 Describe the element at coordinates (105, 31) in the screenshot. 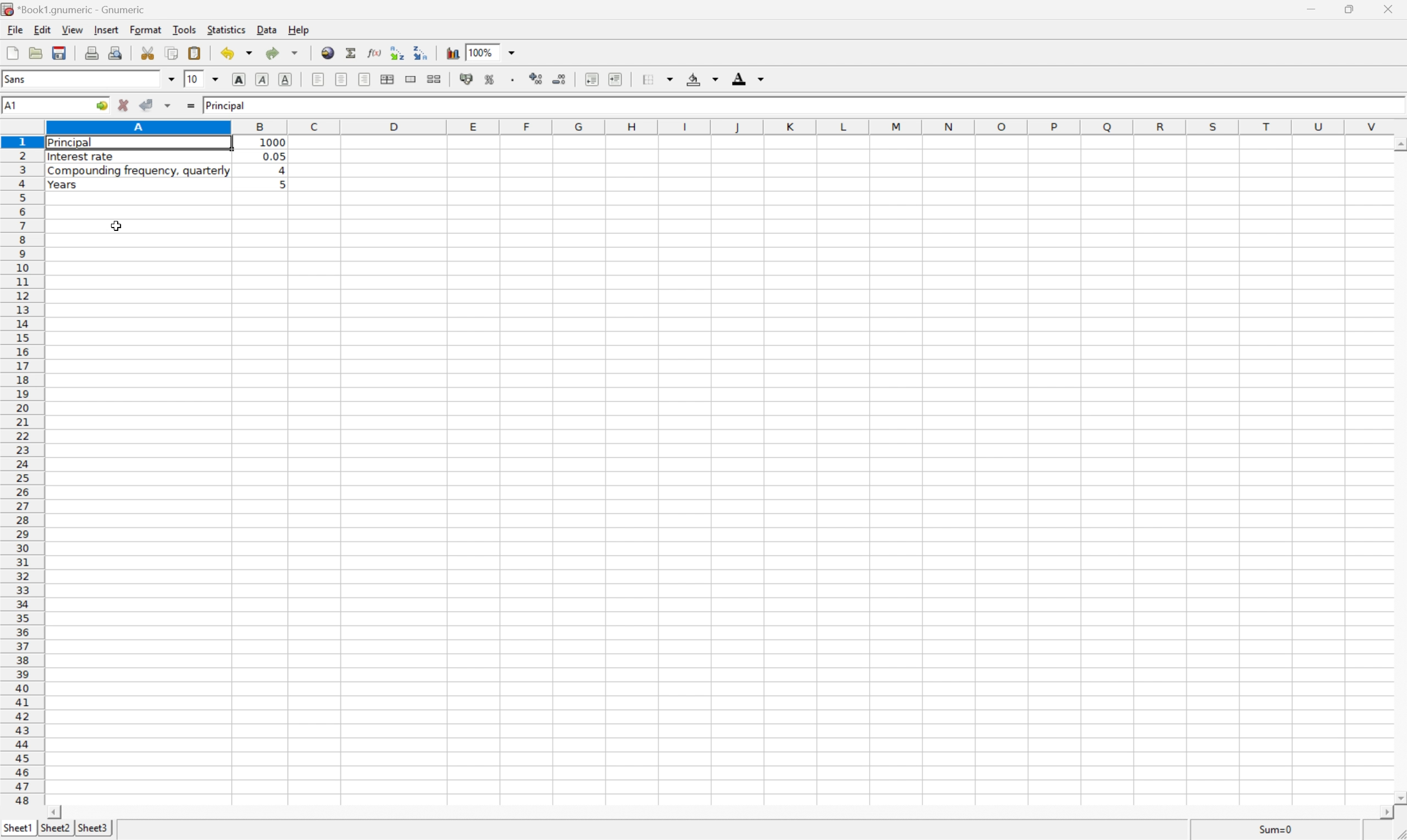

I see `insert` at that location.